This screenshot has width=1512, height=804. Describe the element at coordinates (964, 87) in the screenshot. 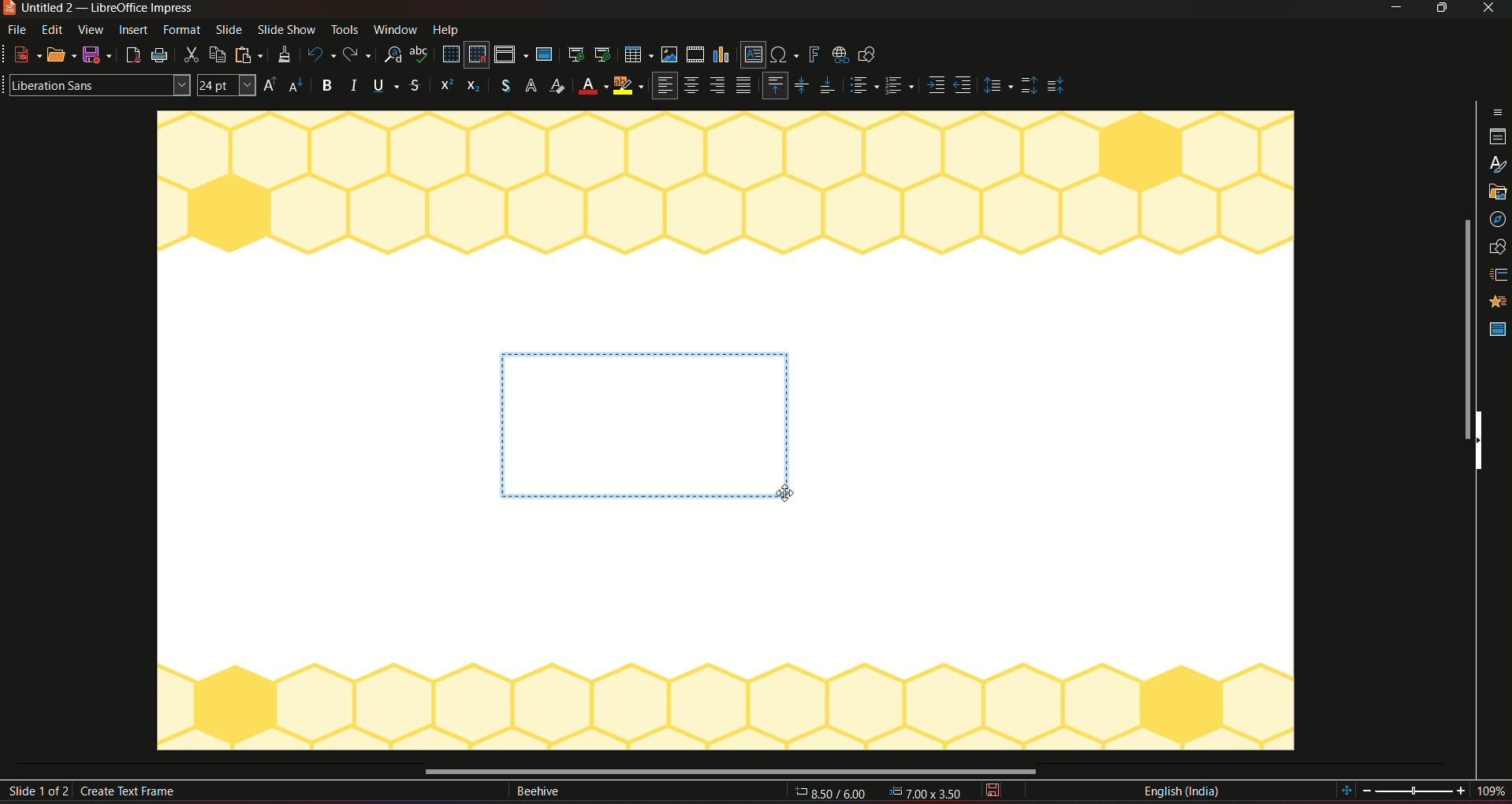

I see `Align side 2` at that location.